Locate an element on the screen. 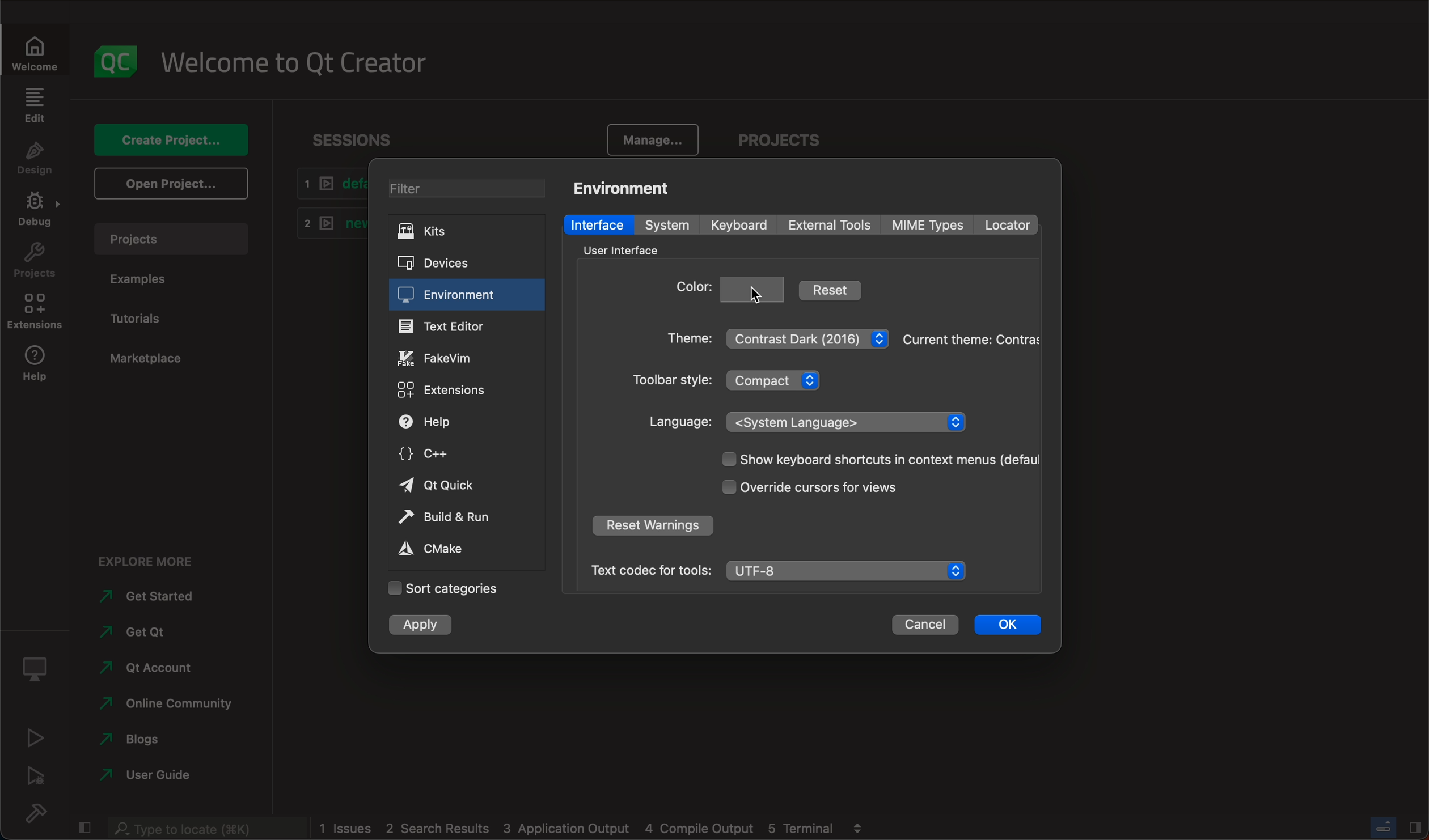  MIME is located at coordinates (929, 225).